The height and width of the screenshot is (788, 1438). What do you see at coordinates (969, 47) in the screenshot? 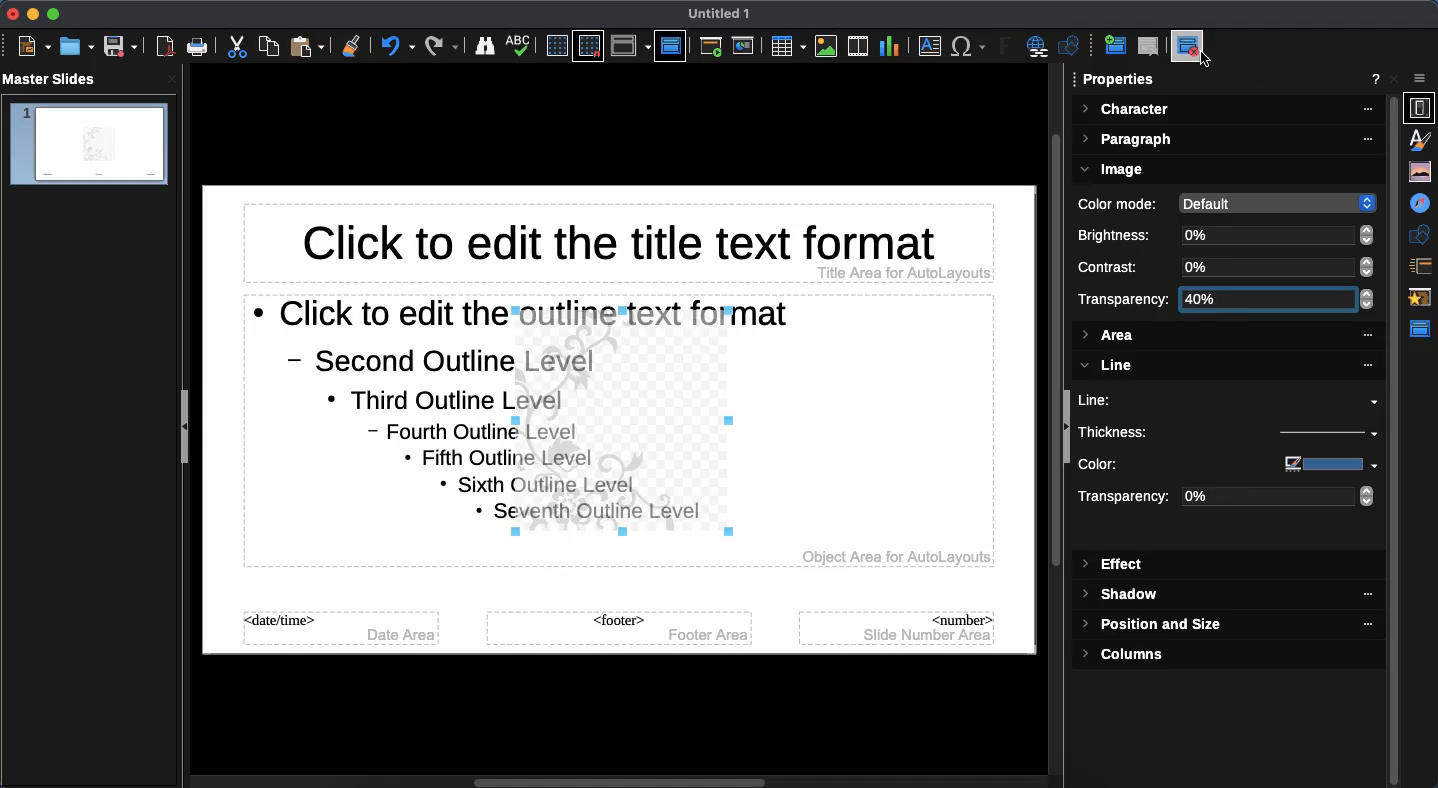
I see `Special characters` at bounding box center [969, 47].